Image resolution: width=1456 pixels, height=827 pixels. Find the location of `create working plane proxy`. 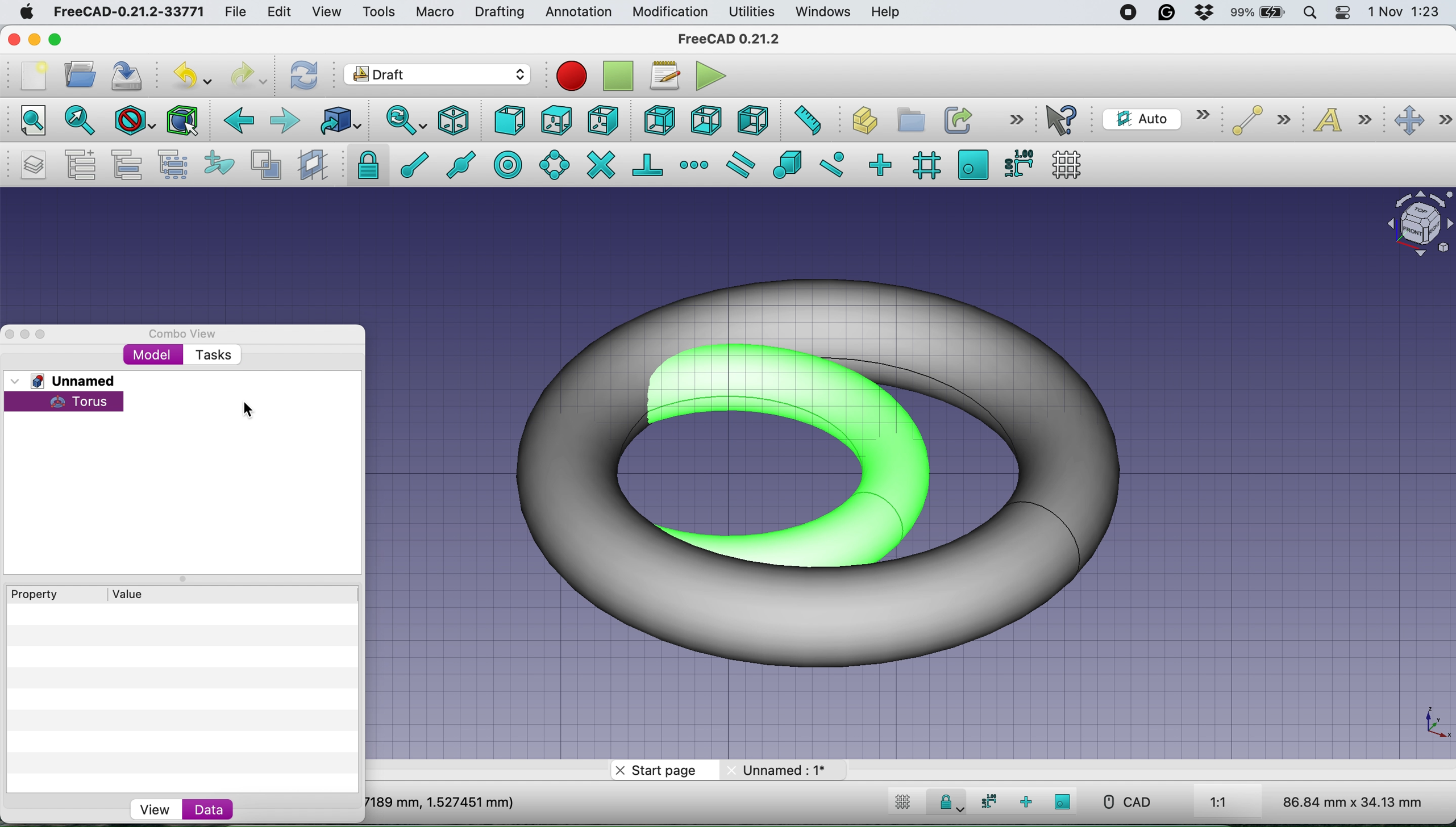

create working plane proxy is located at coordinates (311, 164).